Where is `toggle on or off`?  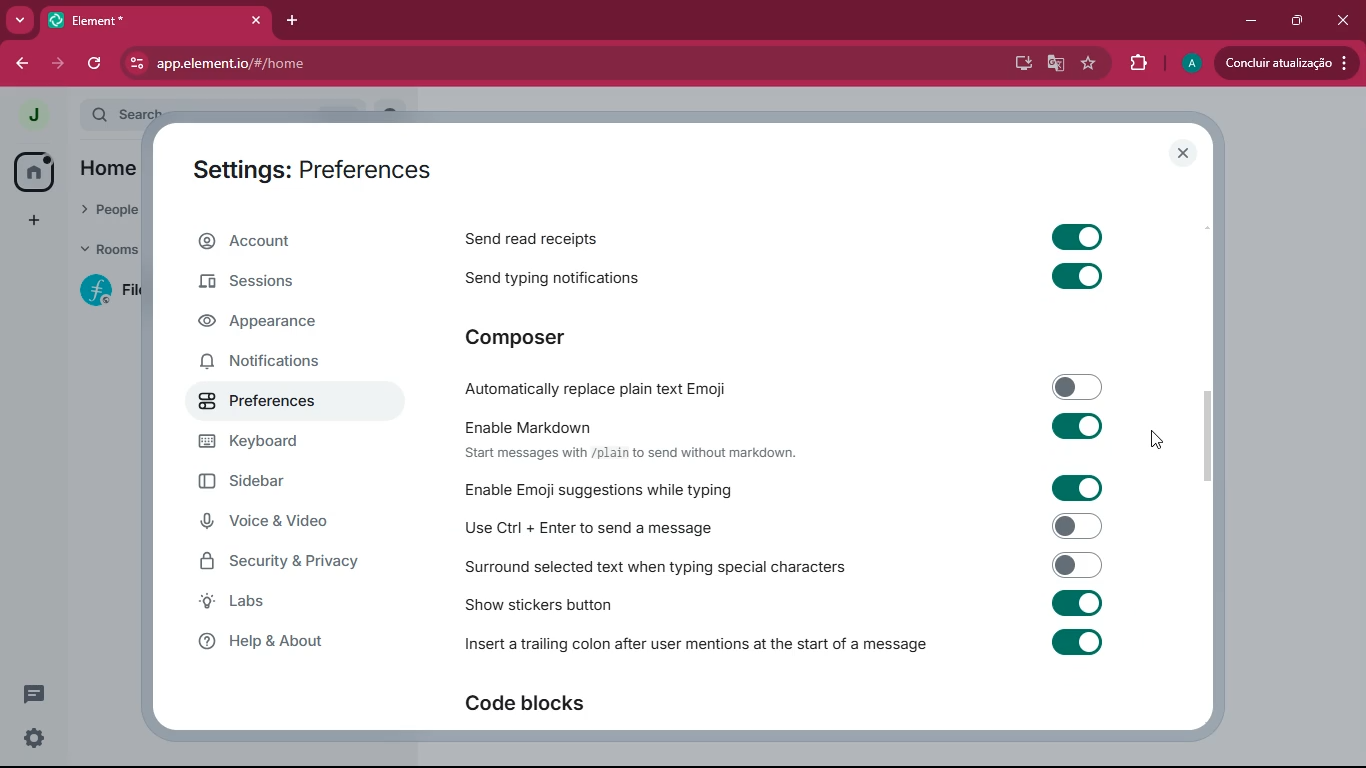 toggle on or off is located at coordinates (1071, 525).